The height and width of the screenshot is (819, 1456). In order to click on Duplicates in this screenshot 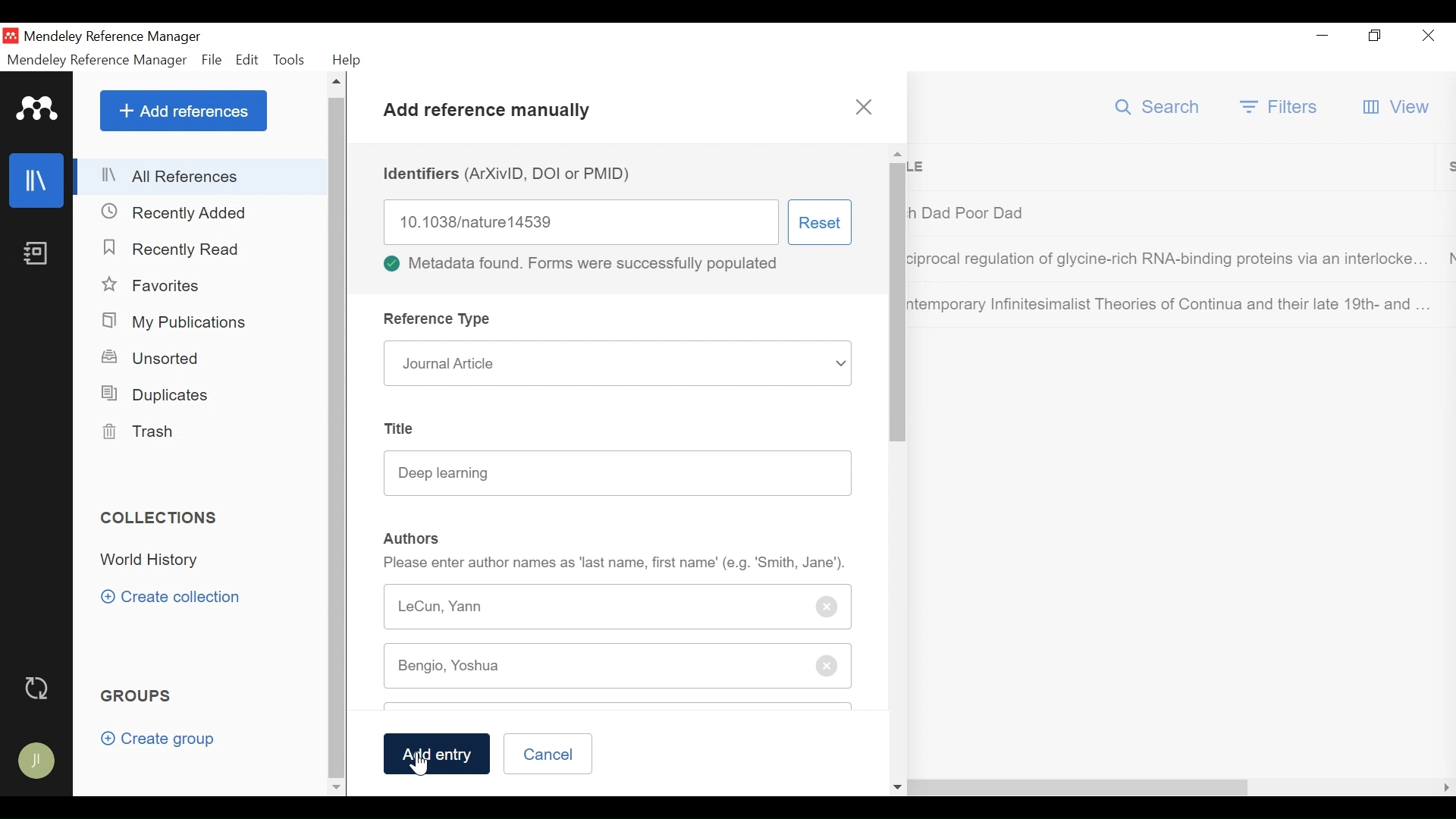, I will do `click(158, 395)`.